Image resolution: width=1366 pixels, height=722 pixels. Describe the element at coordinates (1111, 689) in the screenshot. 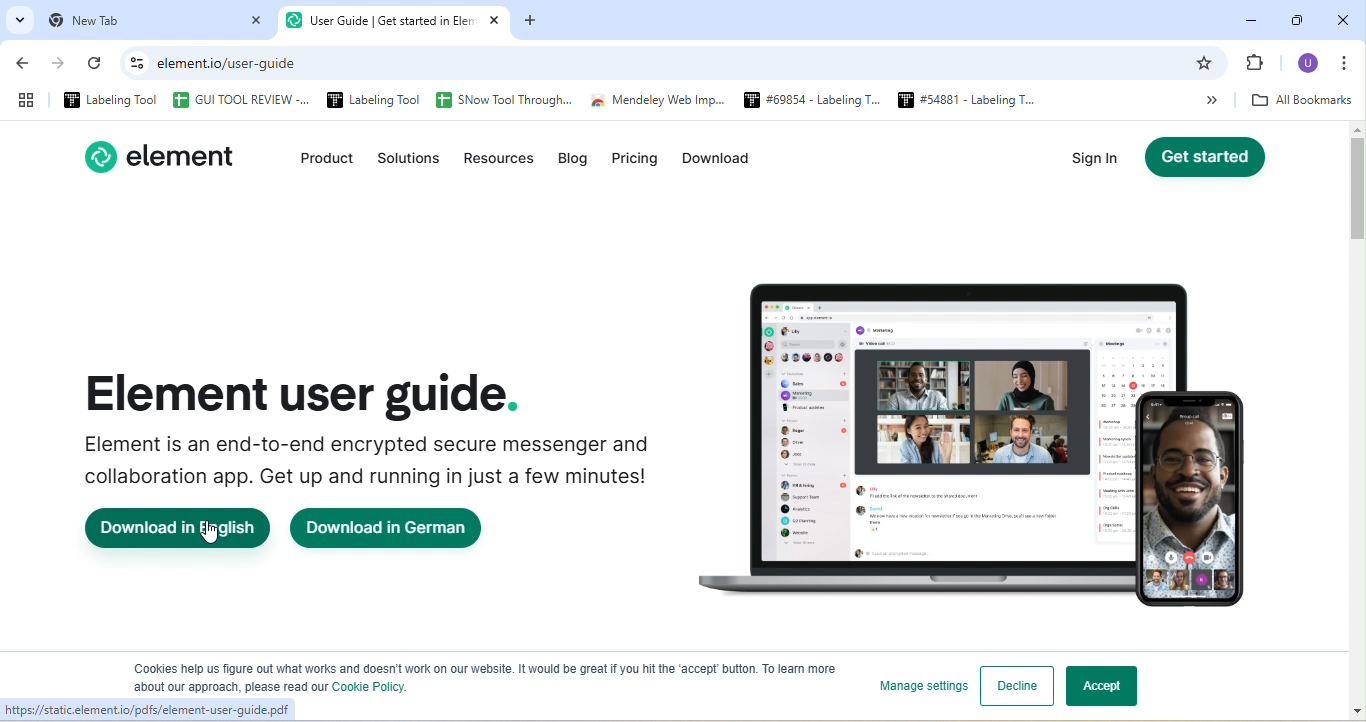

I see `accept` at that location.